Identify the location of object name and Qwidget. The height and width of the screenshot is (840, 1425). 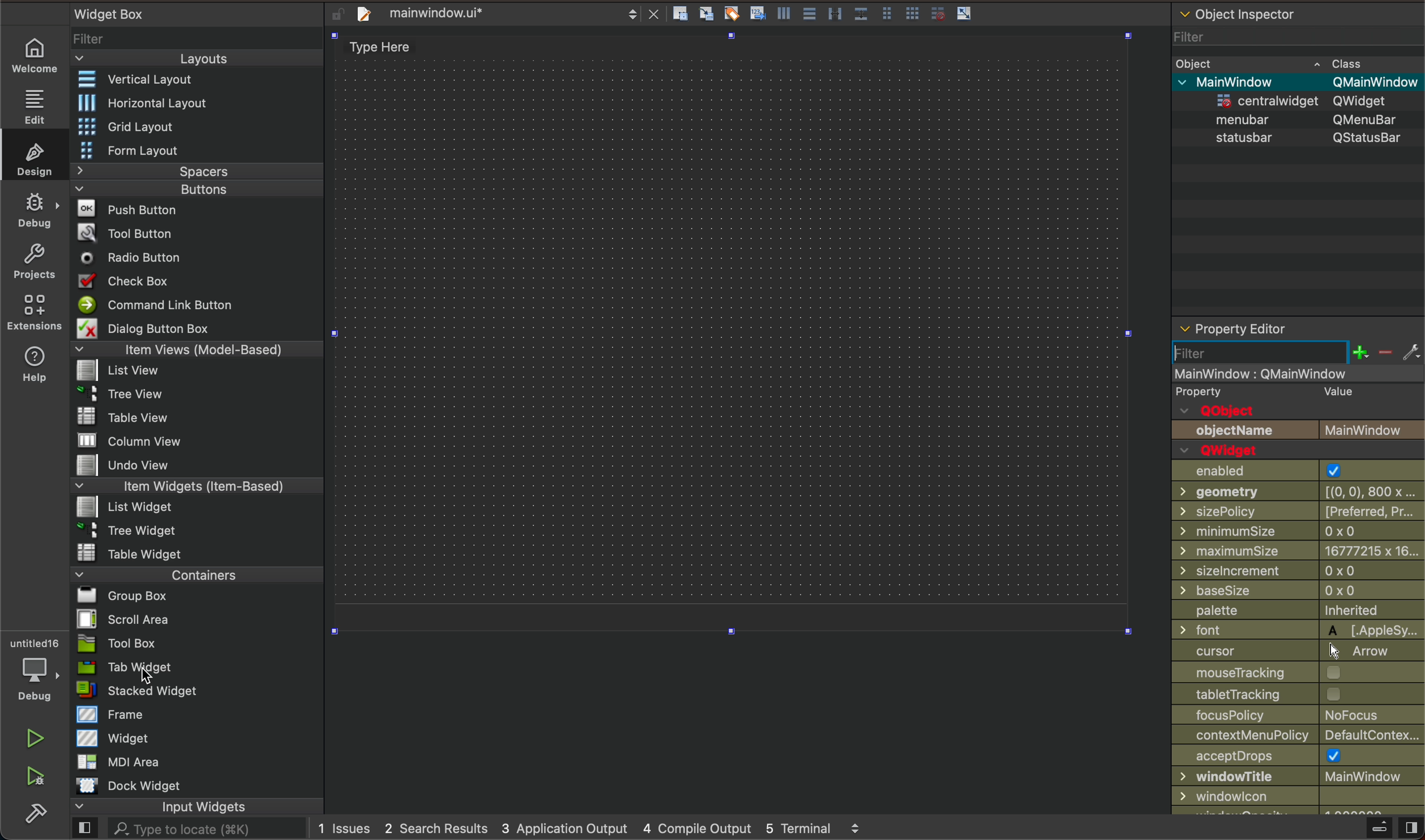
(1303, 440).